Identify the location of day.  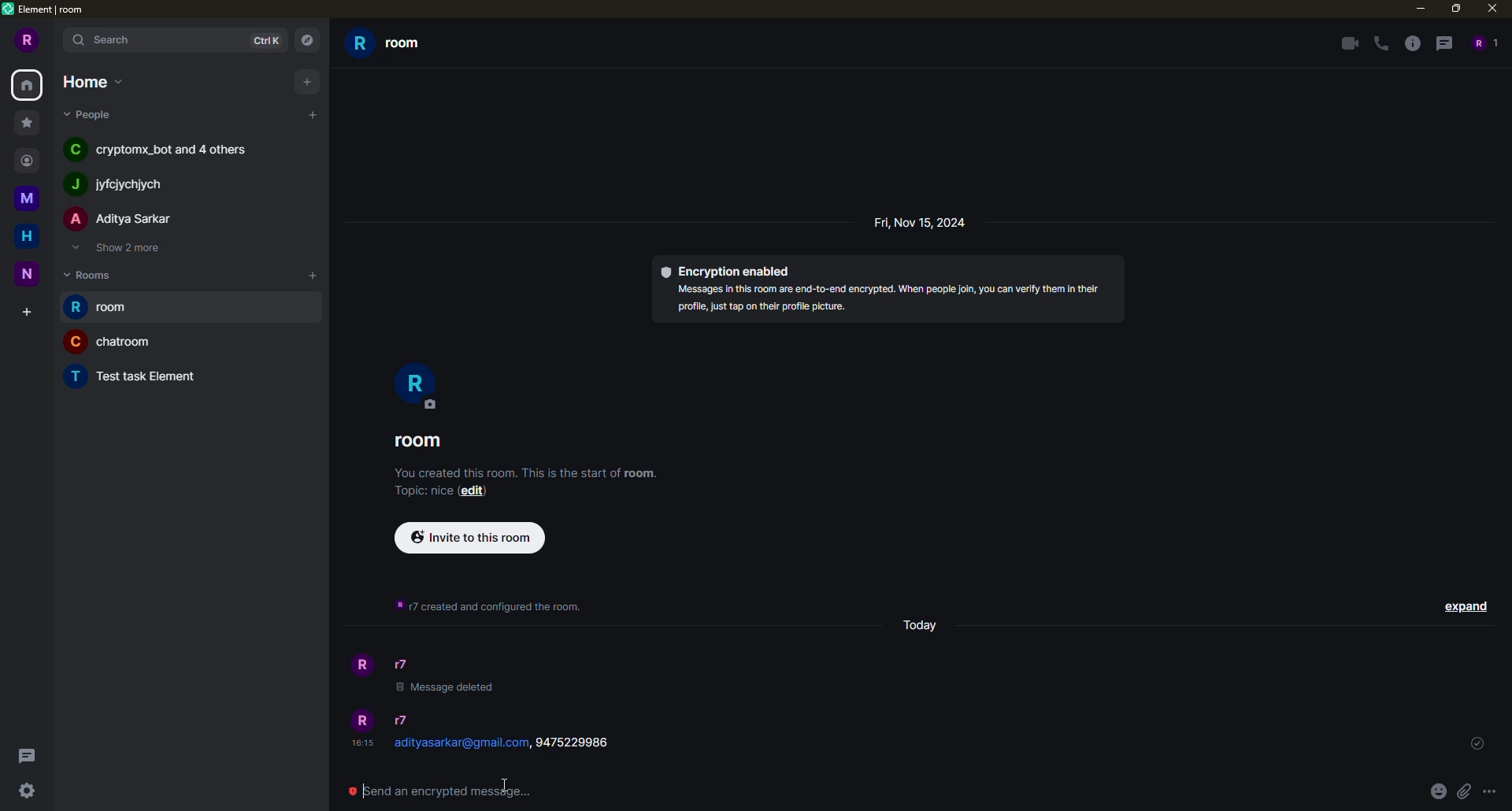
(924, 221).